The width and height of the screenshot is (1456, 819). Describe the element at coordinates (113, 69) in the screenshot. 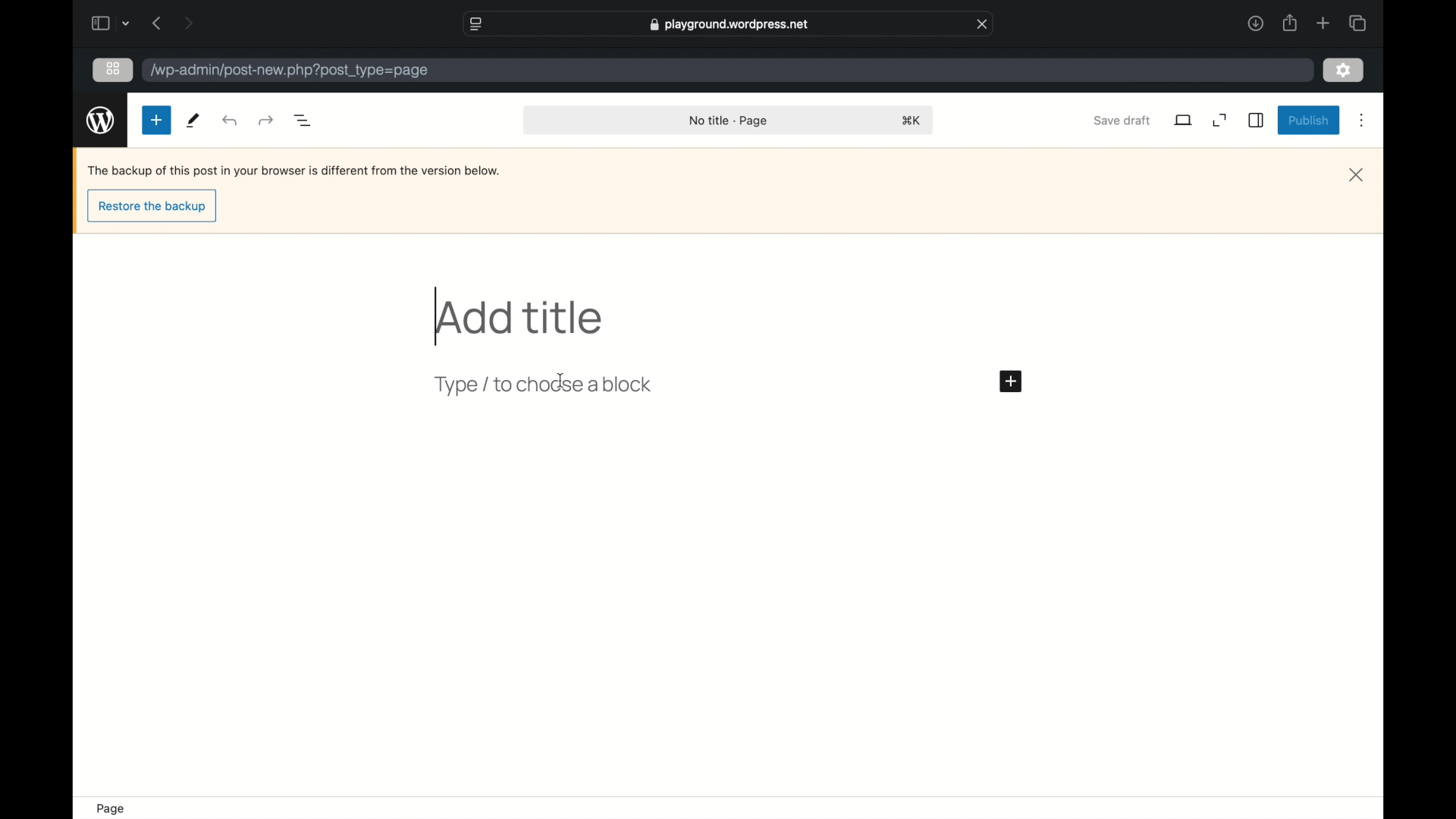

I see `grid view` at that location.